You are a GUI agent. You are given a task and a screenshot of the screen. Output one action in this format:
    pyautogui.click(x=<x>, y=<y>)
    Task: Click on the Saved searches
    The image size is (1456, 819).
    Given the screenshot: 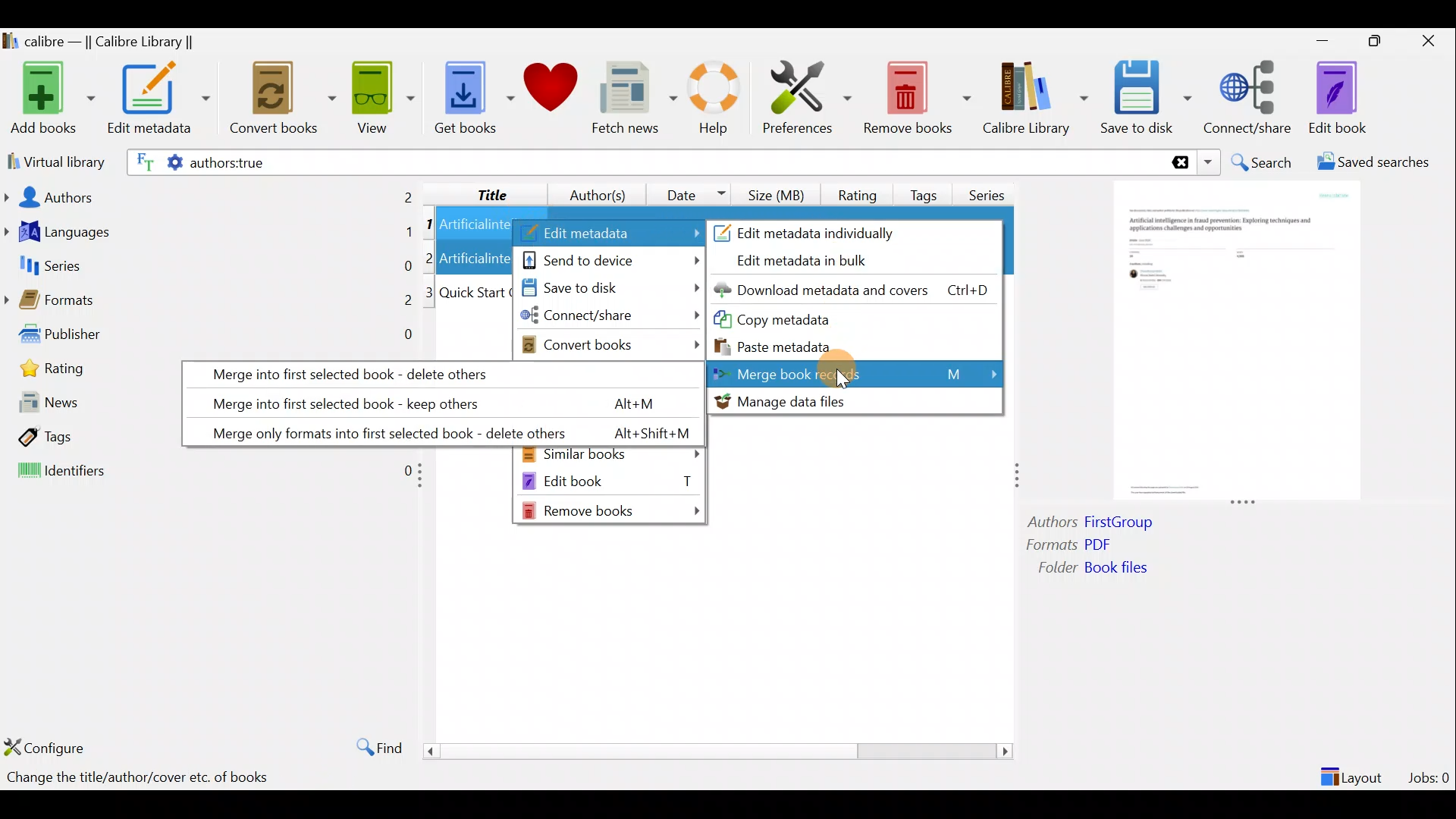 What is the action you would take?
    pyautogui.click(x=1378, y=164)
    